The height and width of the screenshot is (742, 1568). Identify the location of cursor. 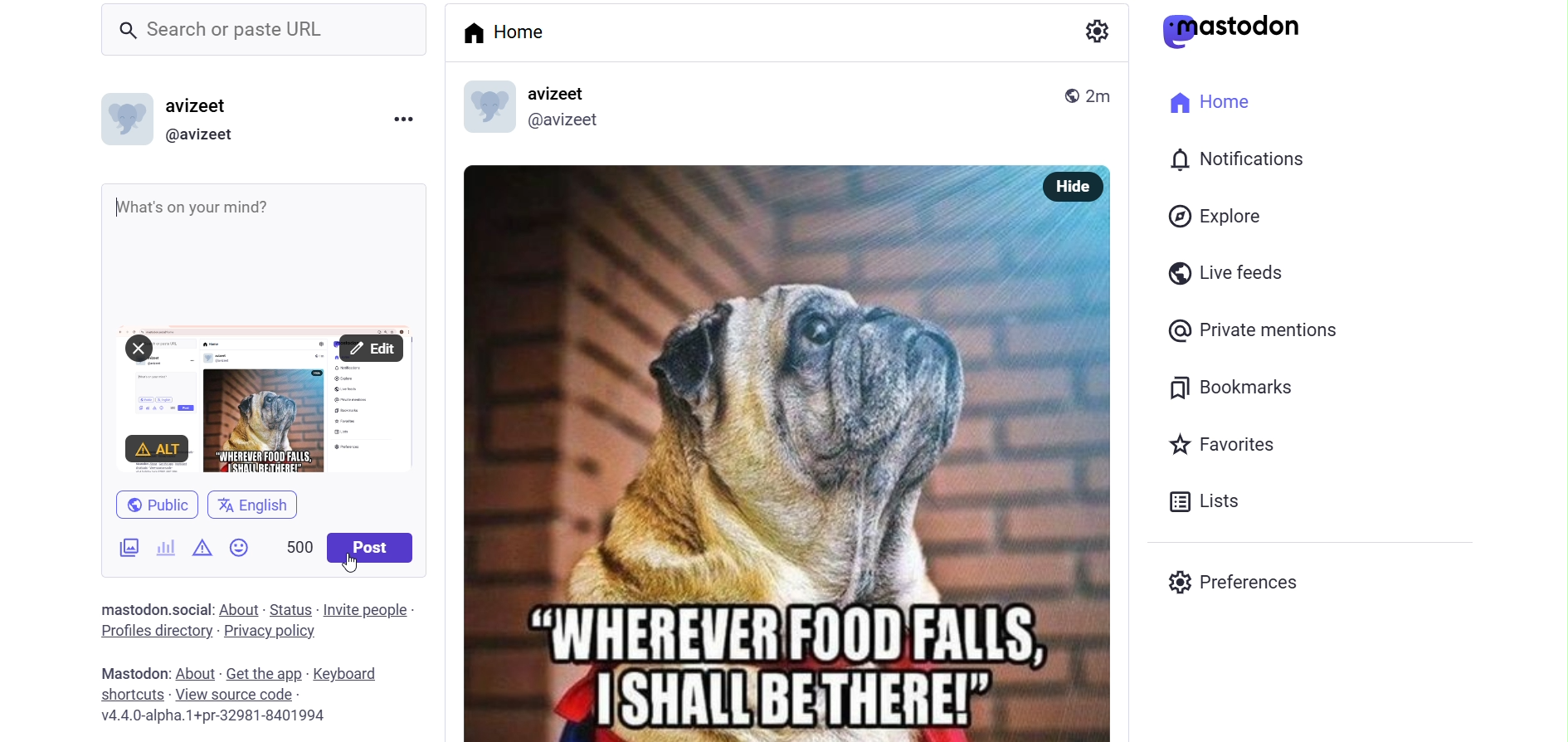
(356, 570).